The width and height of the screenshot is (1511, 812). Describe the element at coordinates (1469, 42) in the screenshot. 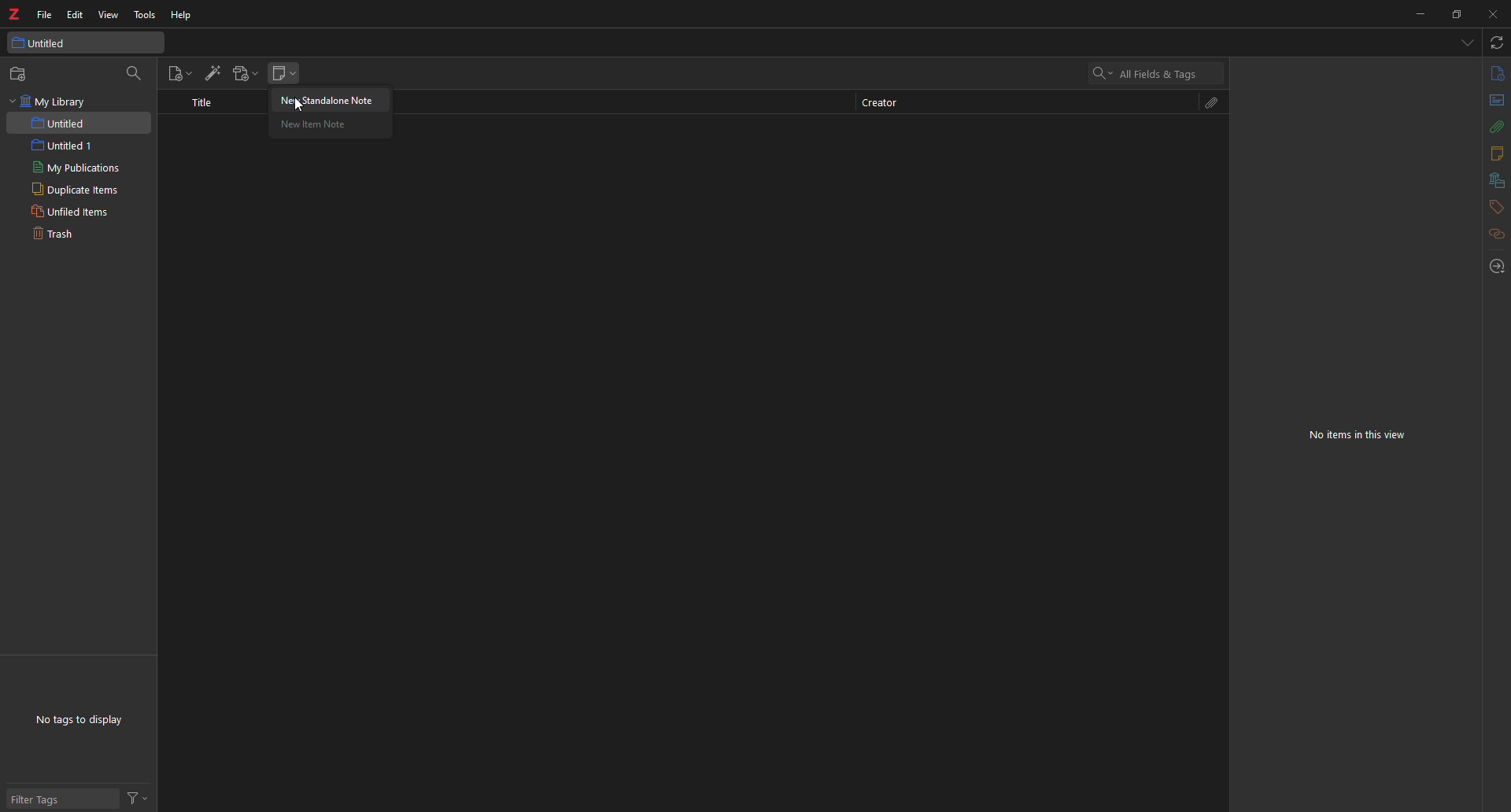

I see `tabs` at that location.